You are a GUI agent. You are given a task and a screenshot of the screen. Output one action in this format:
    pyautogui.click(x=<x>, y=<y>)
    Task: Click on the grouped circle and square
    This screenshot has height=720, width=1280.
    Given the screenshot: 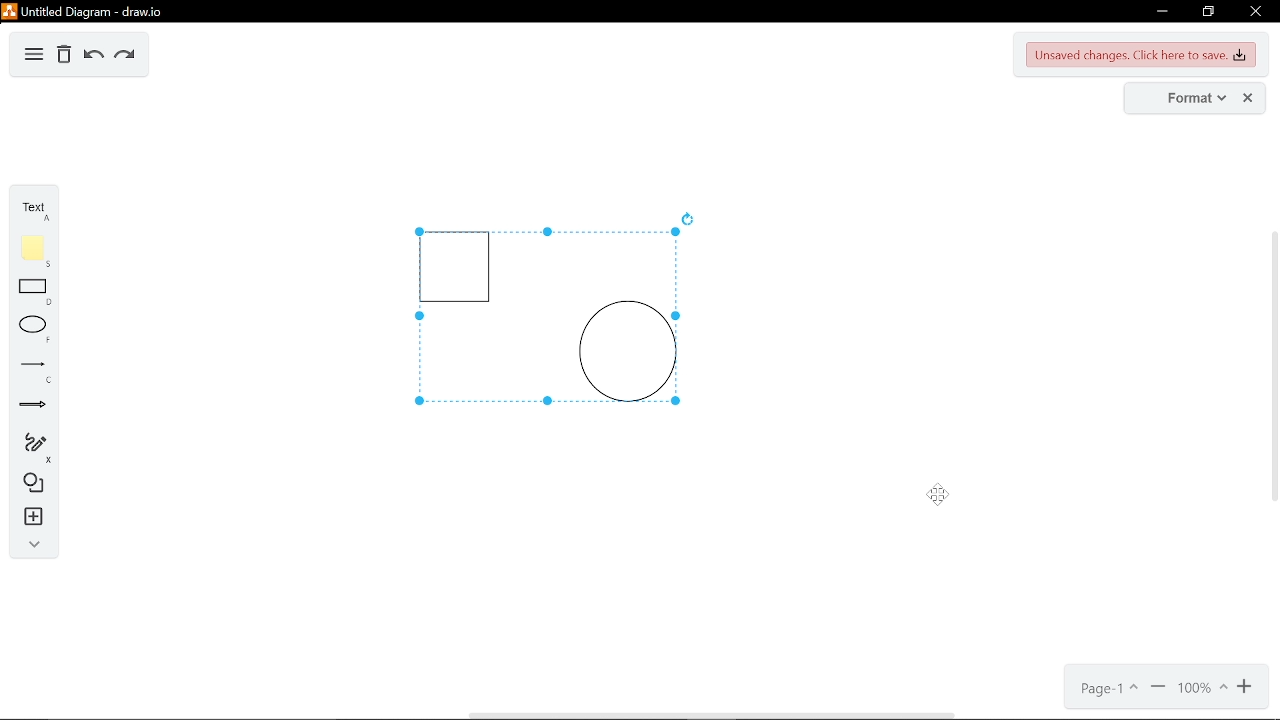 What is the action you would take?
    pyautogui.click(x=542, y=318)
    